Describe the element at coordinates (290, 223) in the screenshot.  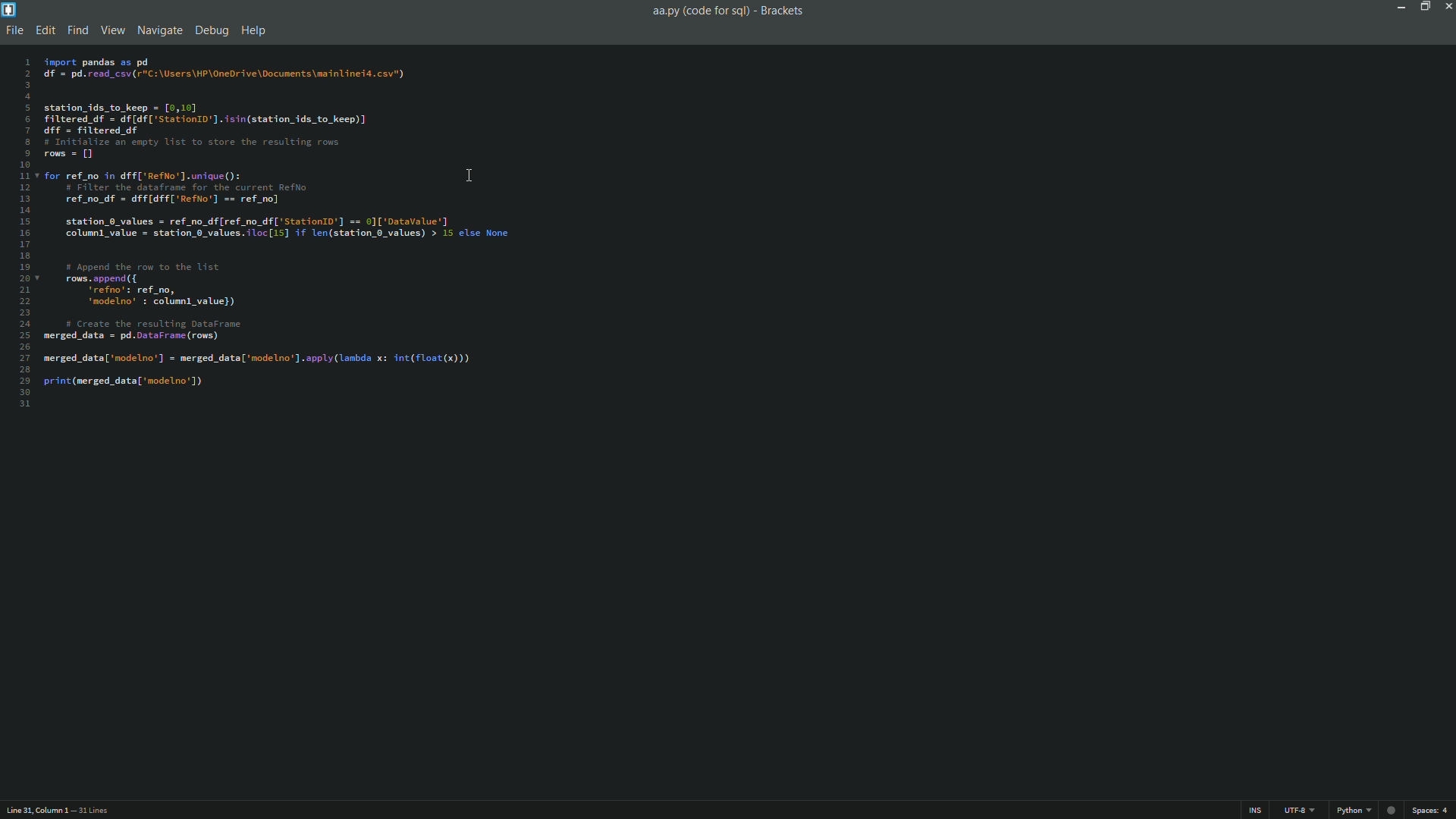
I see `import pandas as pd
df = pd.read_csv(r"C:\Users\HP\OneDrive\Docunents\mainlinei4.csv")
station_ids_to_keep = [0,16]
filtered df = df [df['Station1D'].isin(station_ids_to_keep)]
dff = filtered df
# Initialize an empty list to store the resulting rows
rows = []
for ref_no in dff['RefNo'].unique():
# Filter the dataframe for the current RefNo
ref_no_df = dff[dff['Reflo'] == ref_no]
station_0_values = ref_no_df[ref_no_df['StationI'] == 0]['DataValue']
columnl value = station_0_values.iloc[15] if len(station_0_values) > 15 else None
# Append the row to the list
 rows.append({
‘refno': ref_no,
‘modelno’ : columnl_value})
# Create the resulting DataFrame
merged_data = pd.DataFrane (rows)
merged_data['modelno’] = merged_data['modelno']. apply (lambda x: int(float(x)))
print(merged_datal'modelno'])` at that location.